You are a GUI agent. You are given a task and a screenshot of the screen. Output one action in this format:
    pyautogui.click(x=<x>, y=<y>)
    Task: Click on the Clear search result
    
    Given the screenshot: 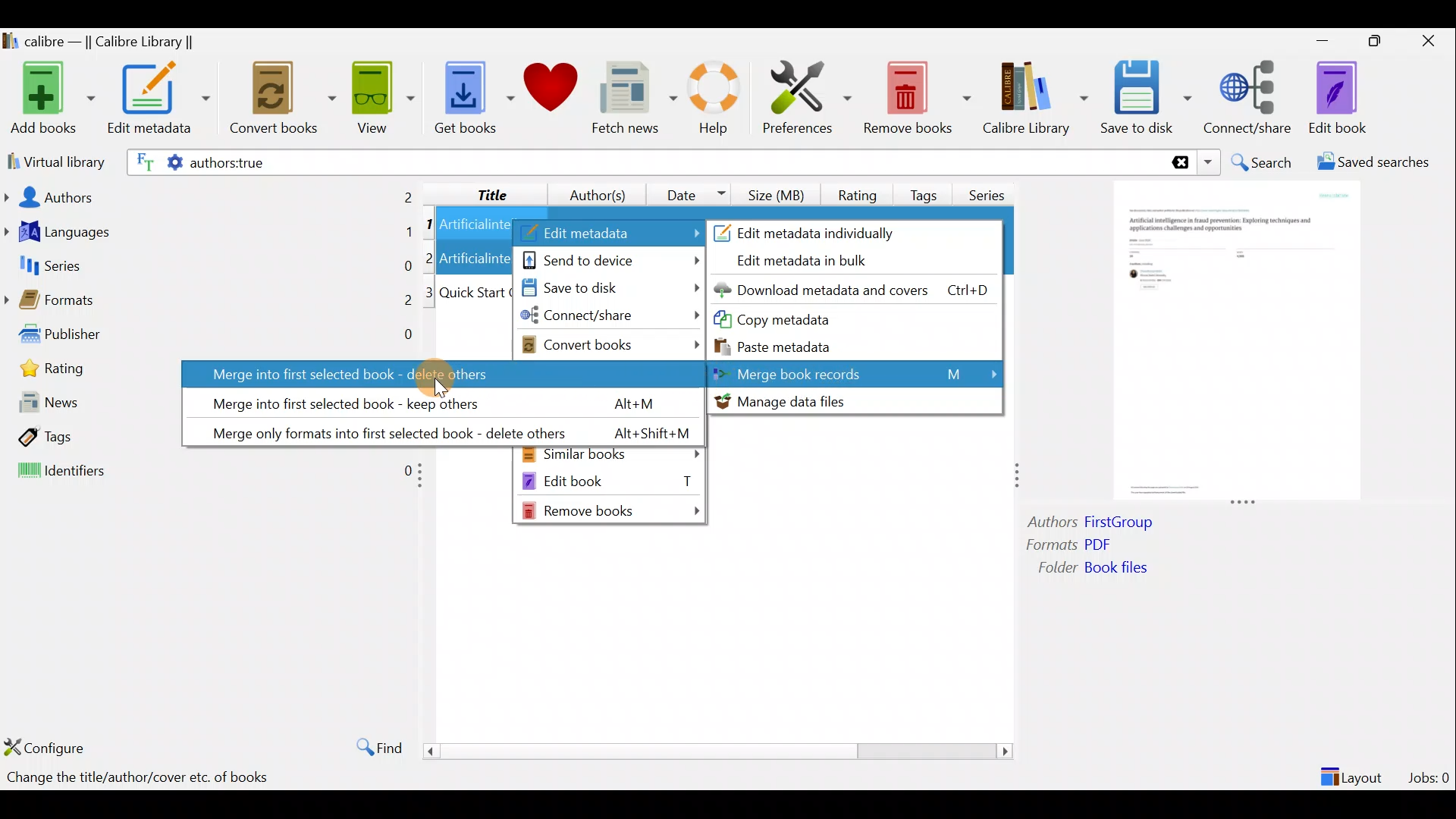 What is the action you would take?
    pyautogui.click(x=1178, y=163)
    